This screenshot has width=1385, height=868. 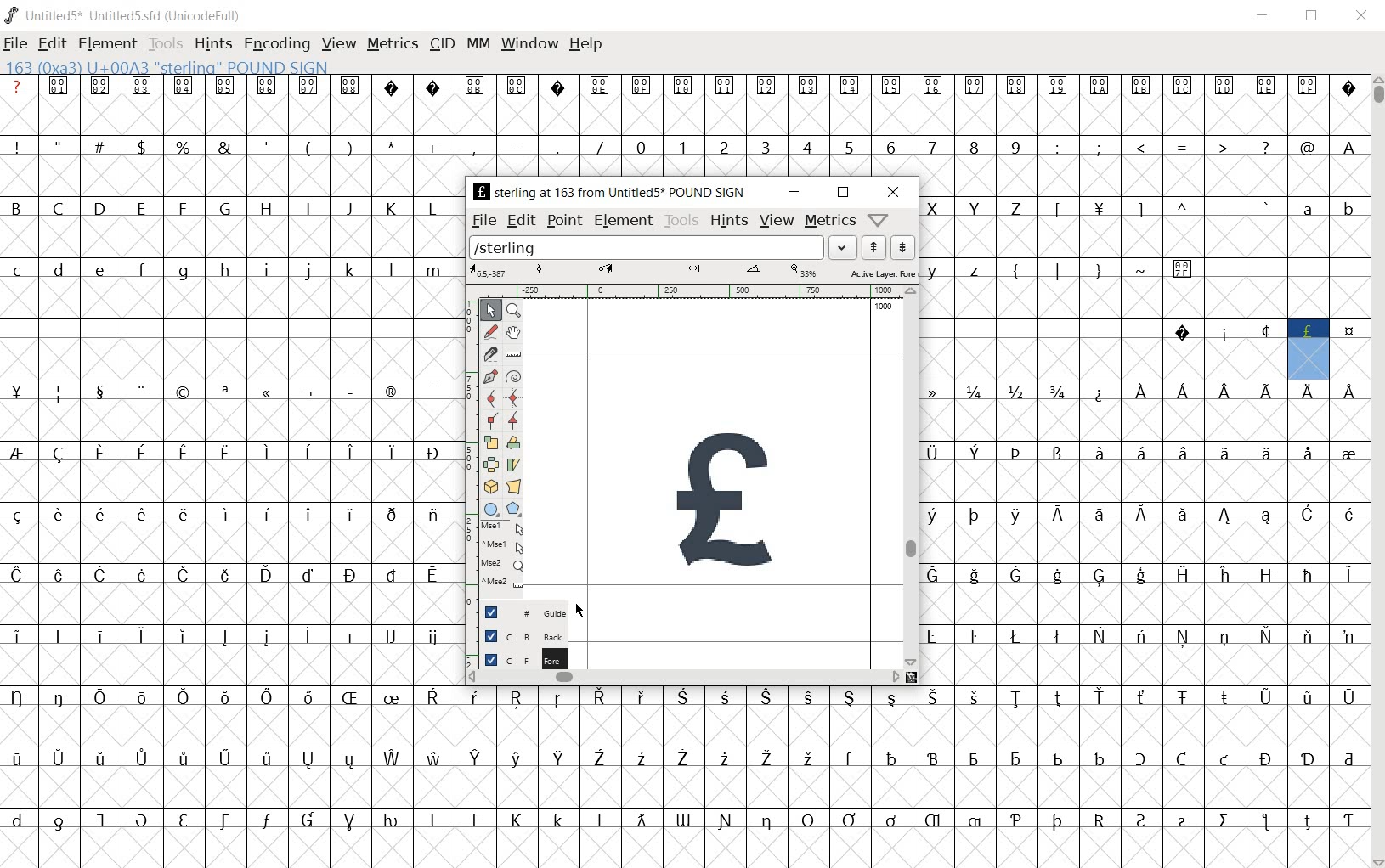 What do you see at coordinates (1142, 820) in the screenshot?
I see `Symbol` at bounding box center [1142, 820].